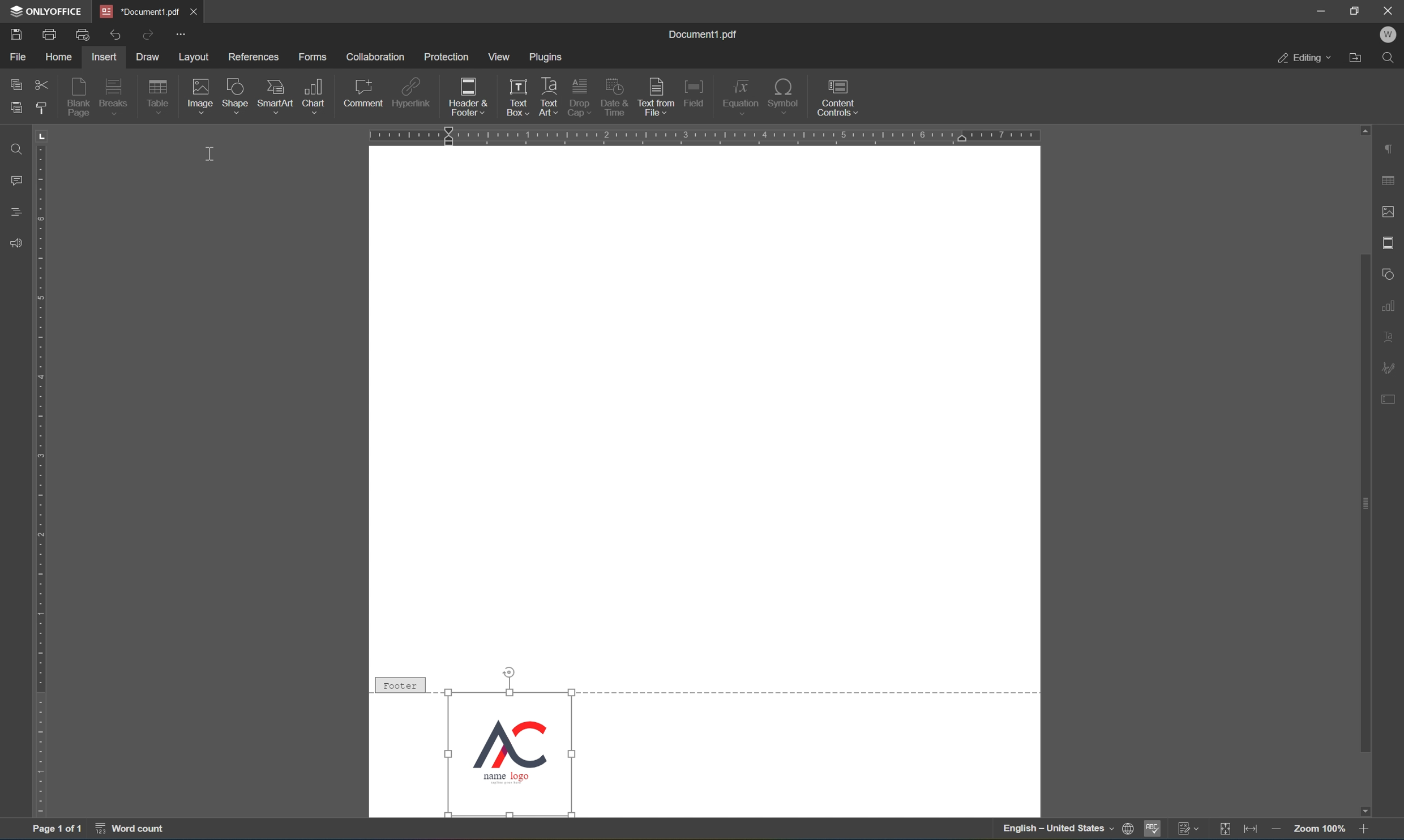 This screenshot has width=1404, height=840. Describe the element at coordinates (17, 148) in the screenshot. I see `find` at that location.